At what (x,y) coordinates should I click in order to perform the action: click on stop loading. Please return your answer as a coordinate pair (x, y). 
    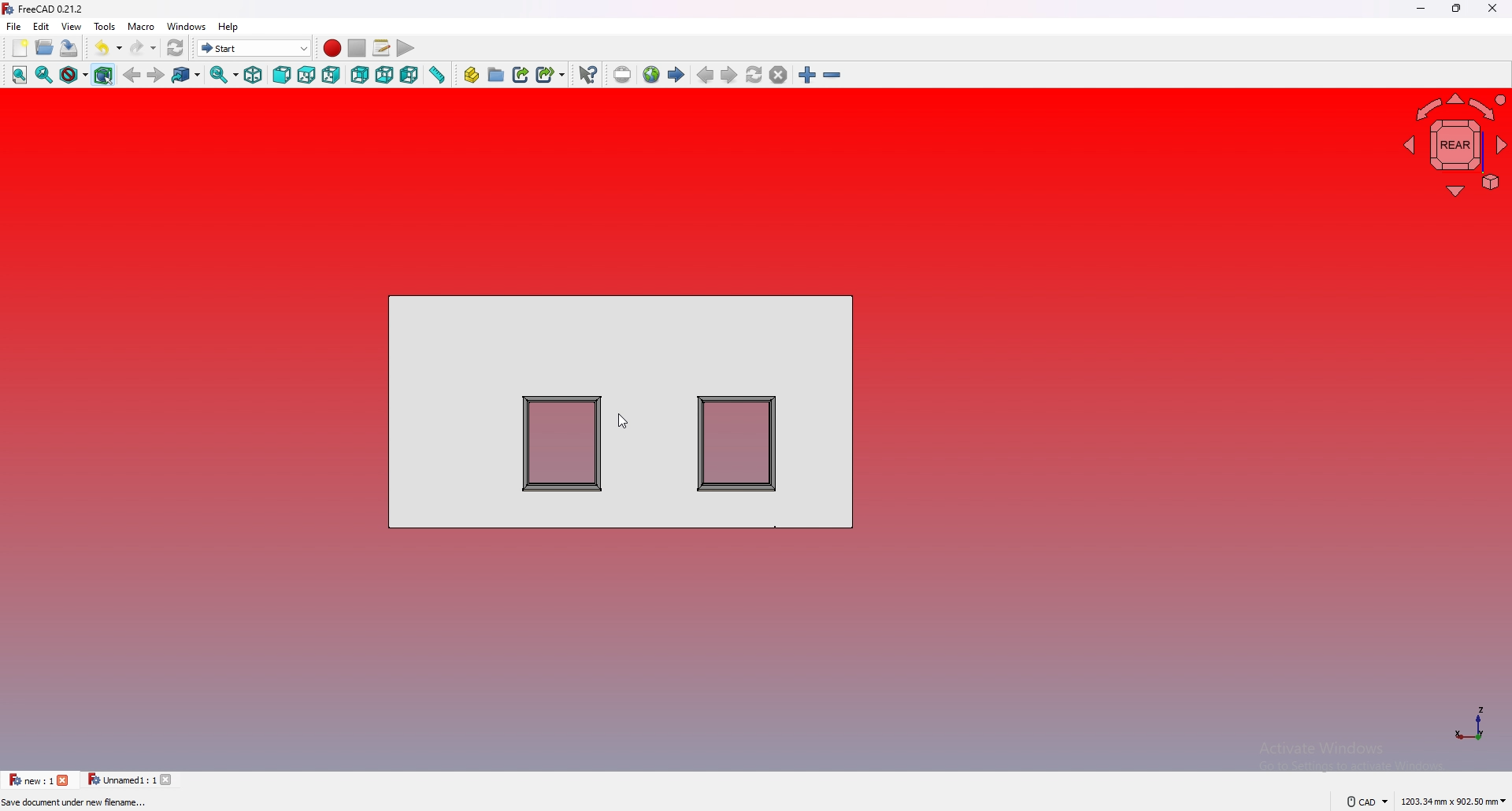
    Looking at the image, I should click on (778, 75).